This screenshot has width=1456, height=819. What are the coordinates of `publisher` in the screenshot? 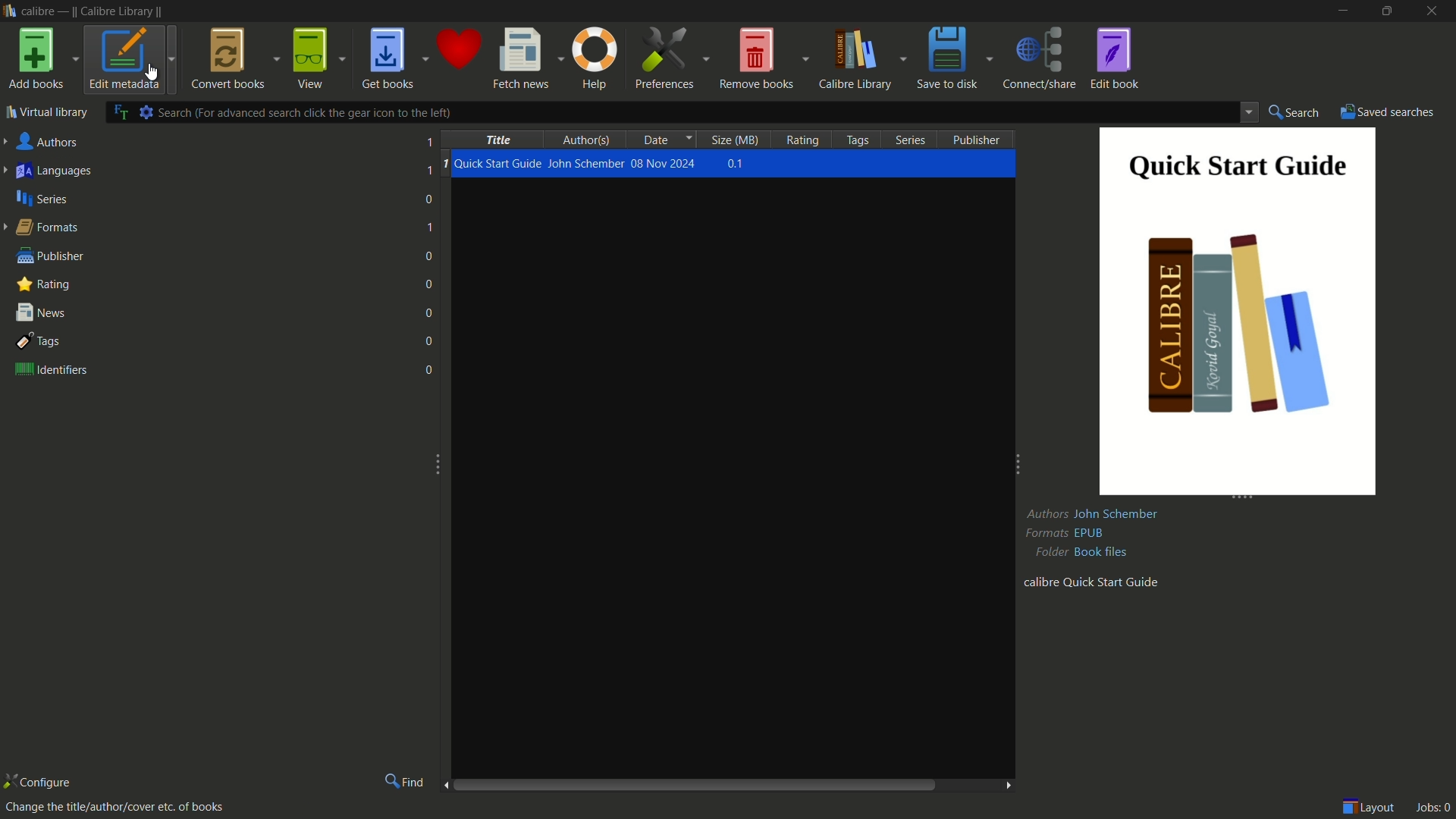 It's located at (975, 140).